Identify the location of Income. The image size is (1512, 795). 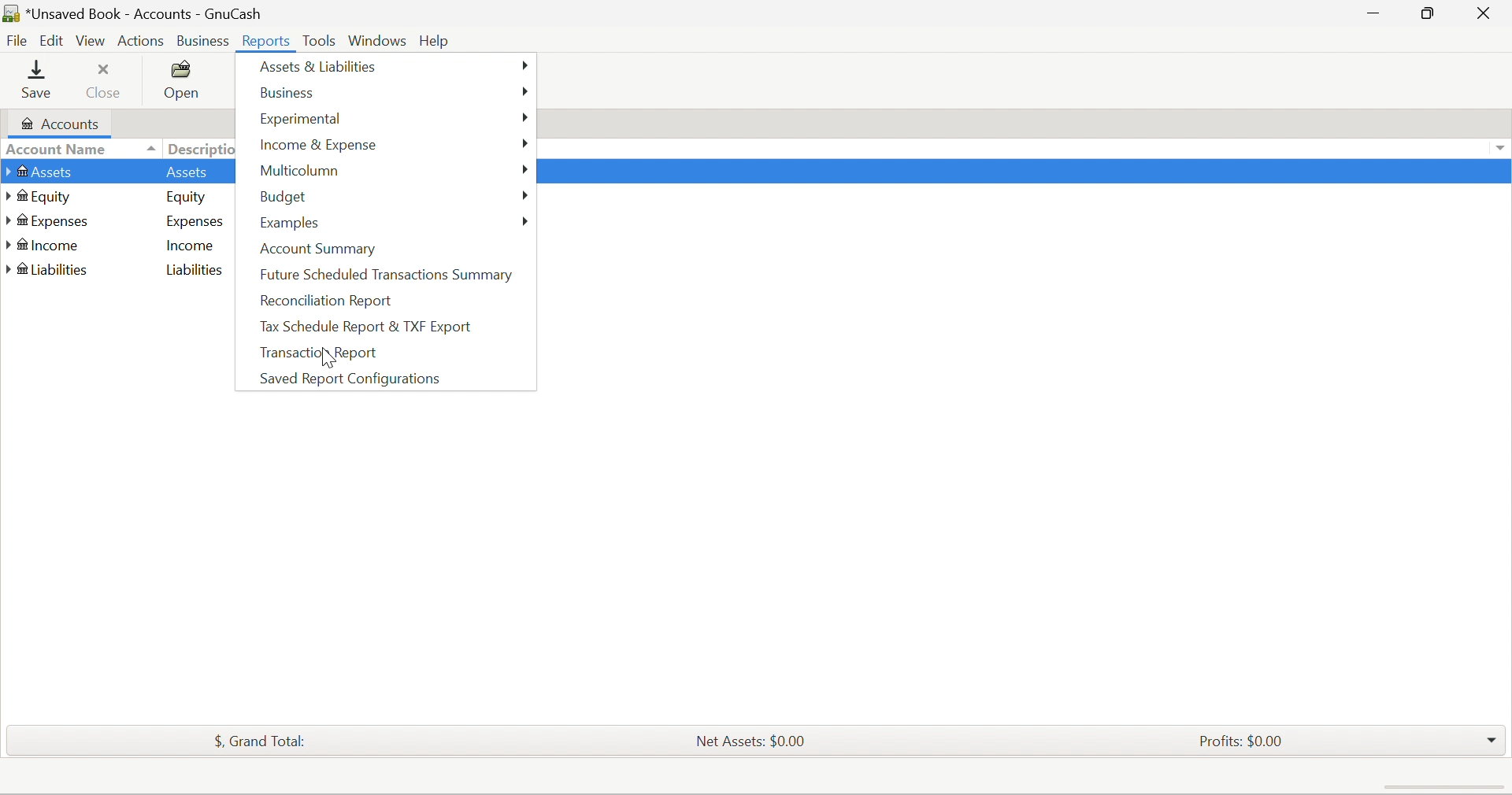
(191, 248).